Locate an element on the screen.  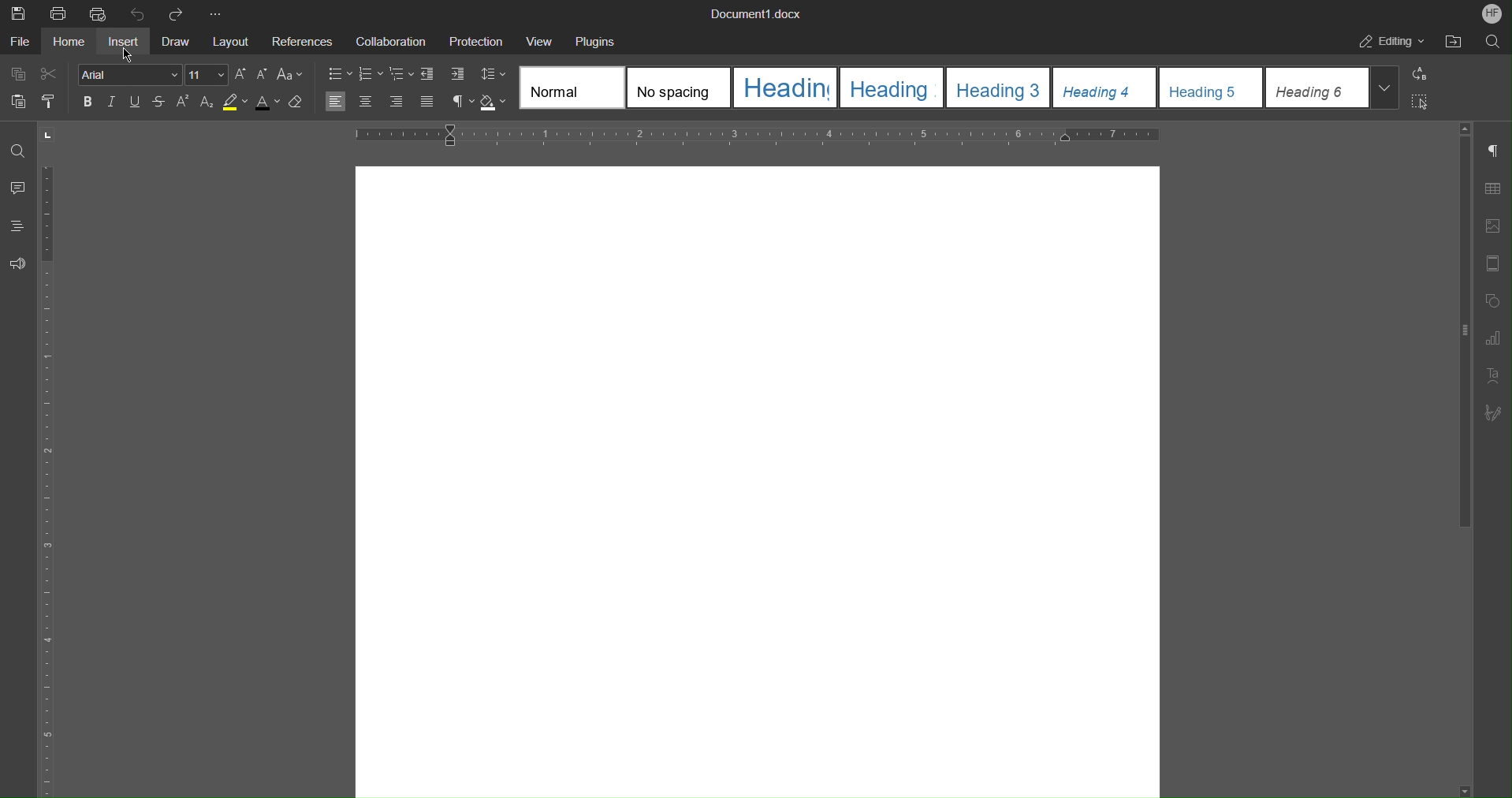
Page Settings is located at coordinates (1496, 263).